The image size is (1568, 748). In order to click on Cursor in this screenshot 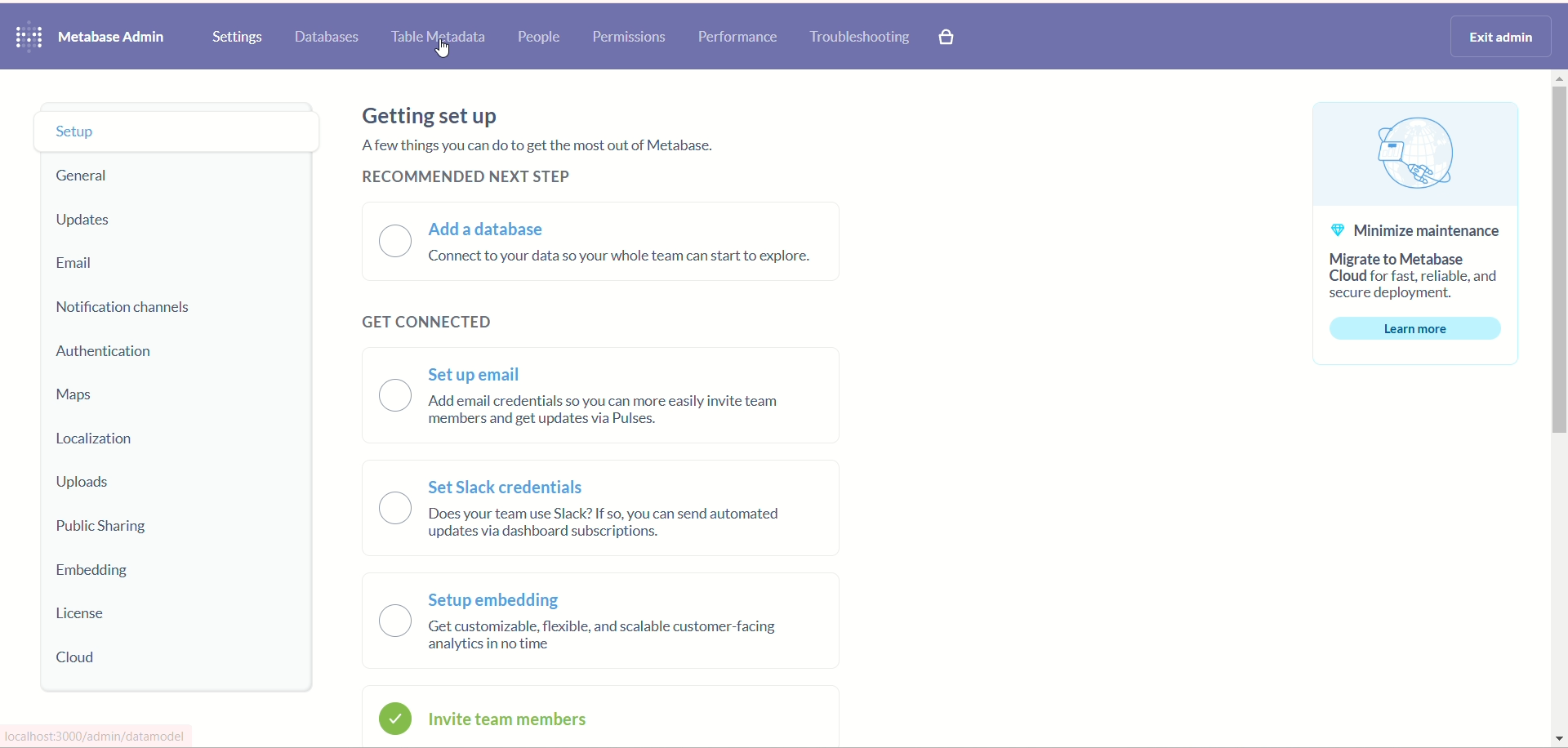, I will do `click(444, 51)`.